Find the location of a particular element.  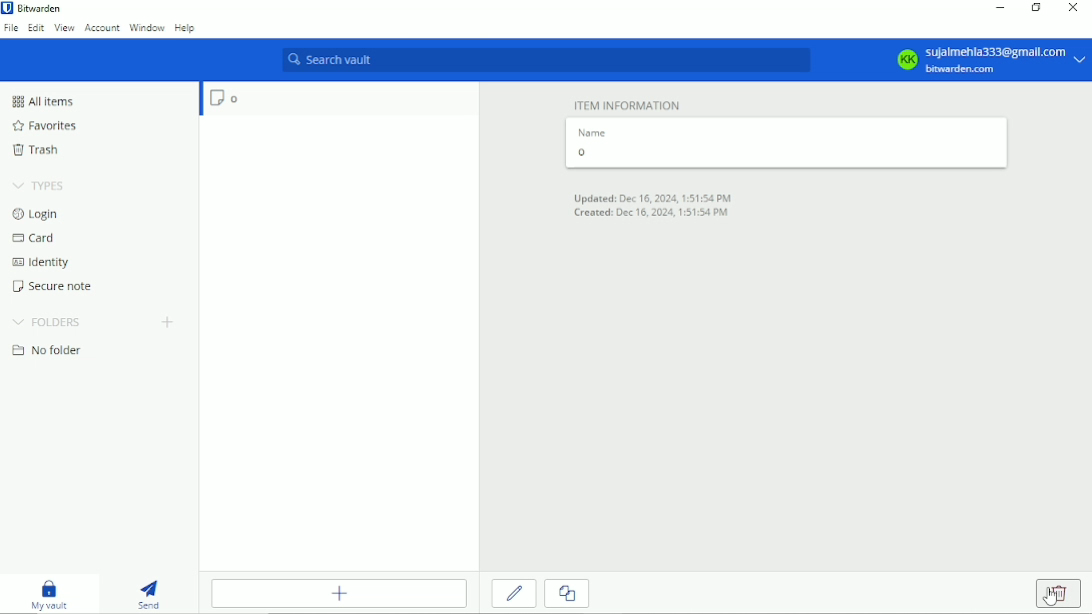

All items is located at coordinates (48, 101).